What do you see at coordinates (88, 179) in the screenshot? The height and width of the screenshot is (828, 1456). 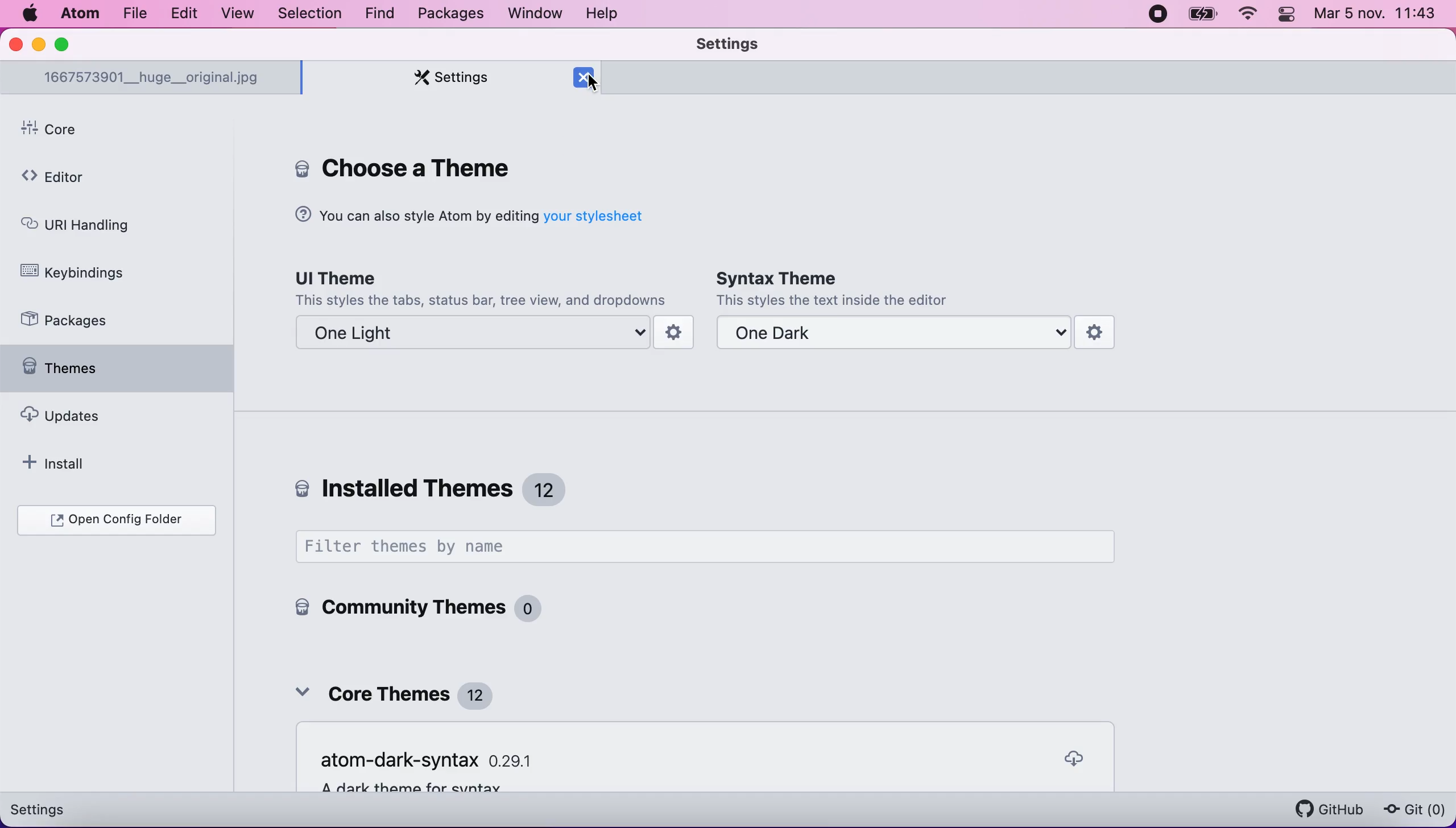 I see `editor` at bounding box center [88, 179].